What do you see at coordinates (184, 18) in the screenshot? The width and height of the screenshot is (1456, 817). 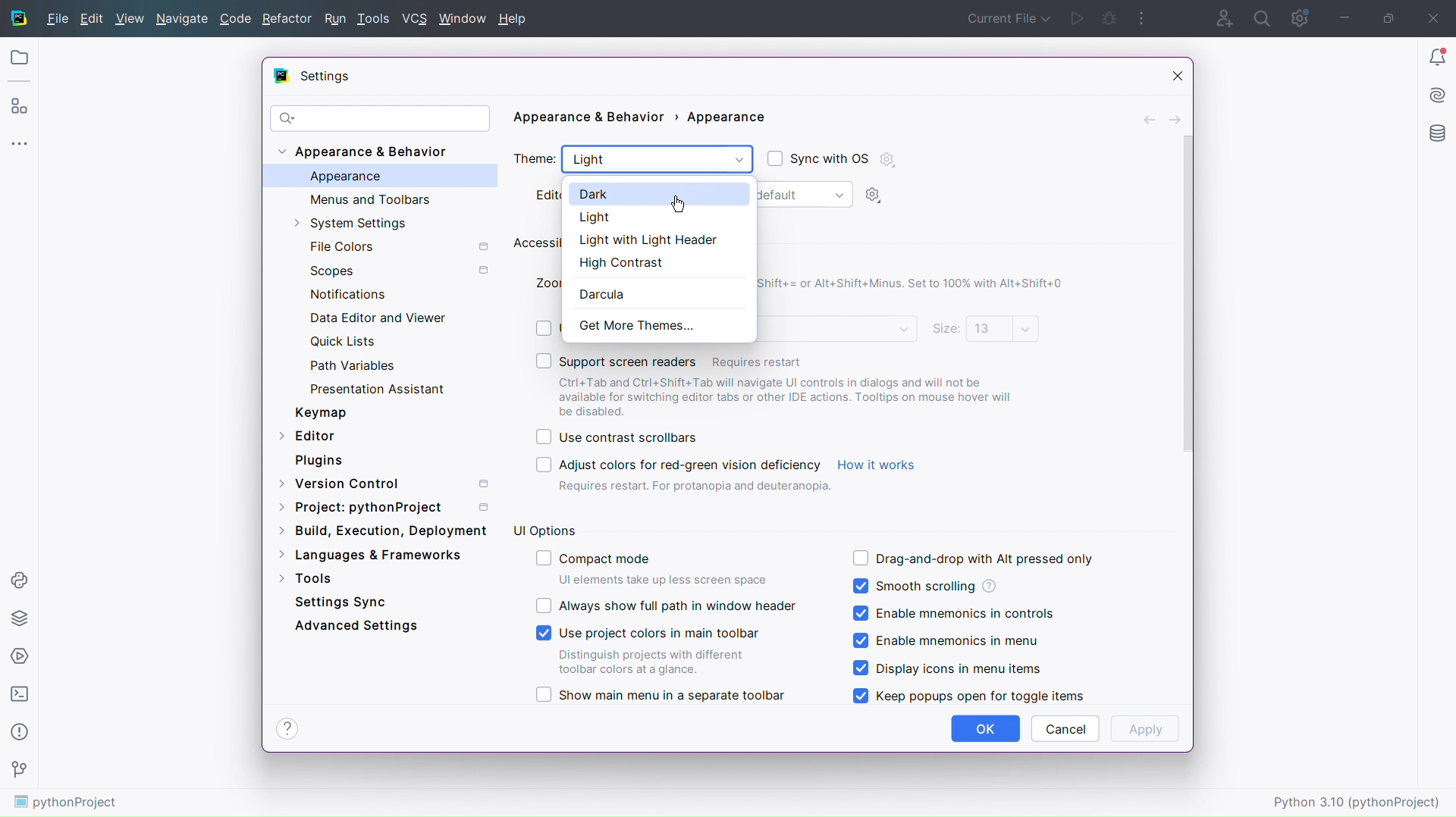 I see `Navigate` at bounding box center [184, 18].